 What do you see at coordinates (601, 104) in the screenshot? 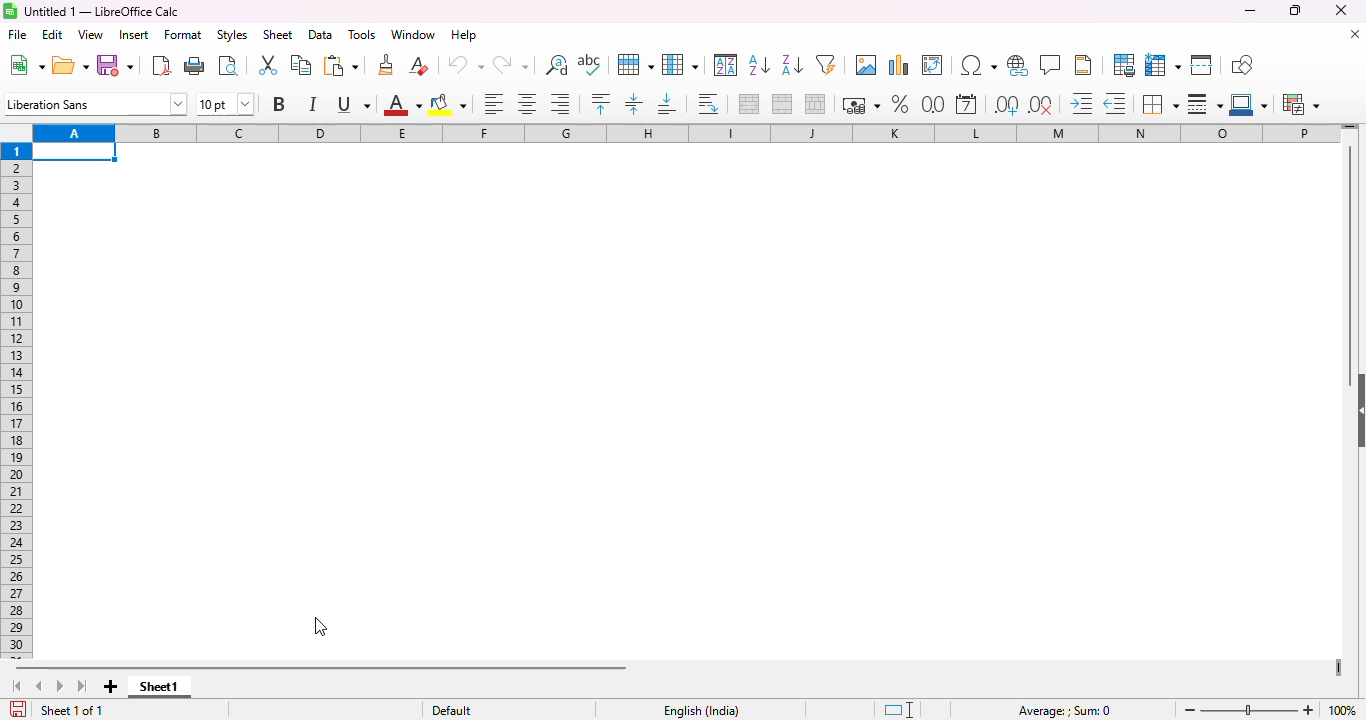
I see `align top` at bounding box center [601, 104].